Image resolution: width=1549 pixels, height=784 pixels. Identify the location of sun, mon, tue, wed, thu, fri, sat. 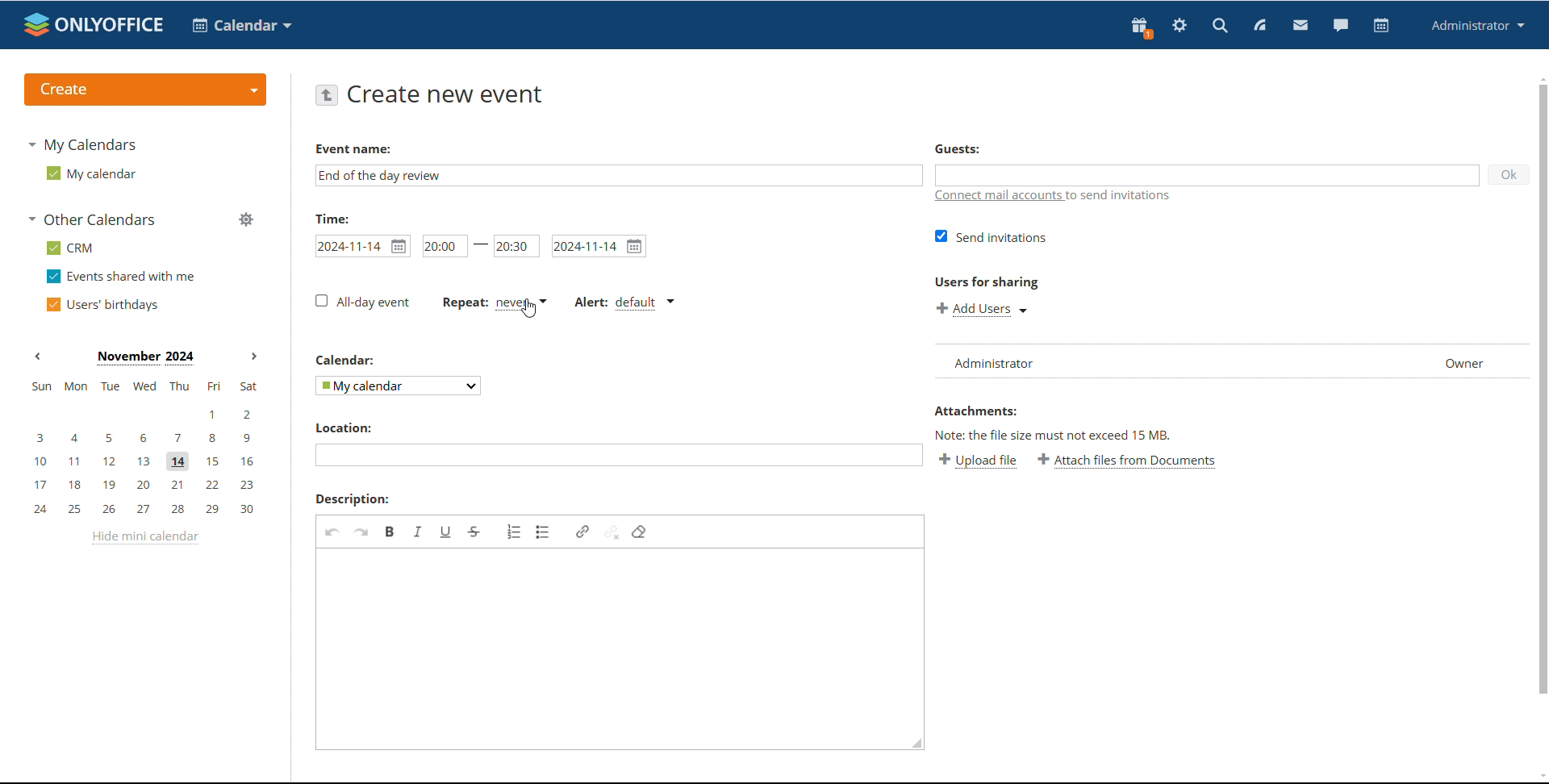
(143, 386).